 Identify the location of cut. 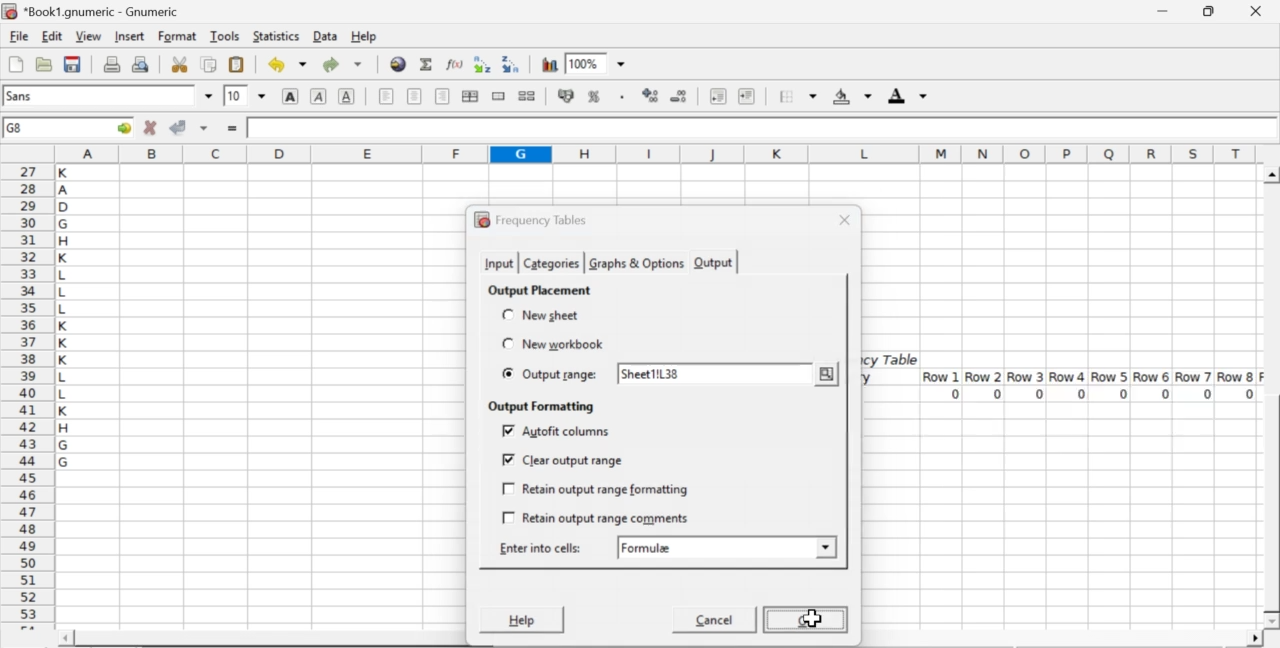
(179, 64).